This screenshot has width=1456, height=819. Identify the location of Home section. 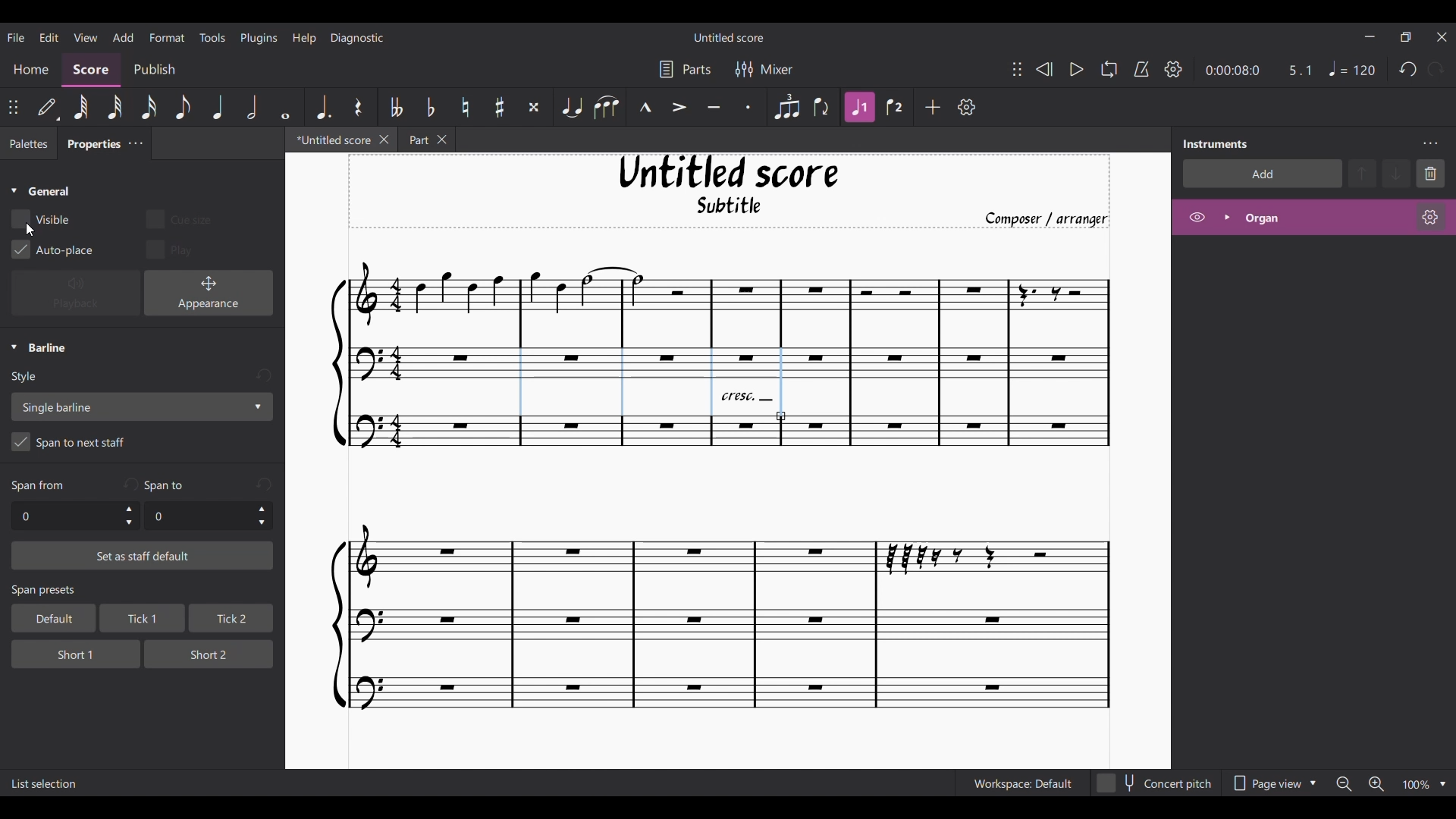
(32, 69).